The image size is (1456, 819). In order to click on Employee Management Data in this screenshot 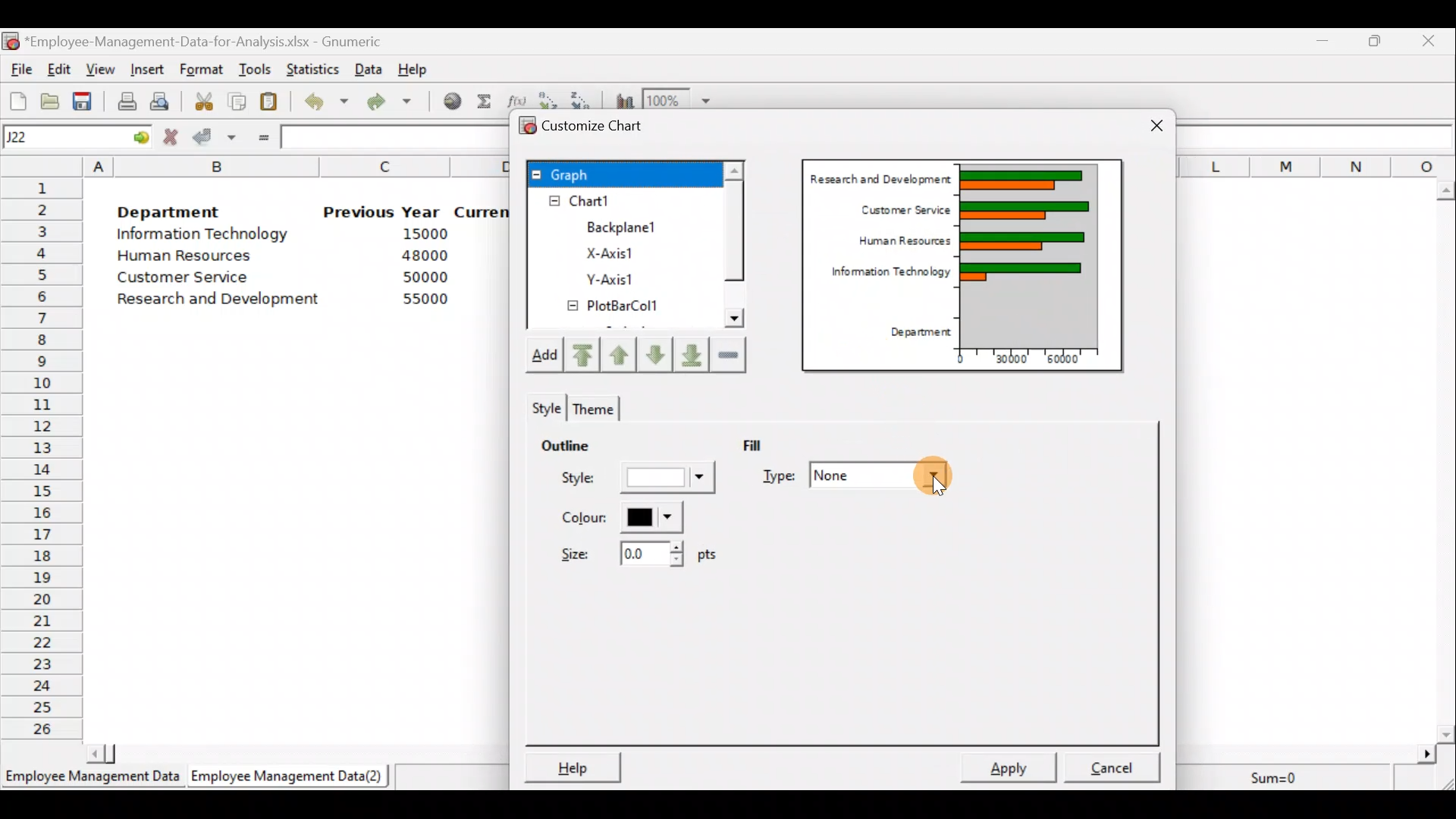, I will do `click(90, 778)`.